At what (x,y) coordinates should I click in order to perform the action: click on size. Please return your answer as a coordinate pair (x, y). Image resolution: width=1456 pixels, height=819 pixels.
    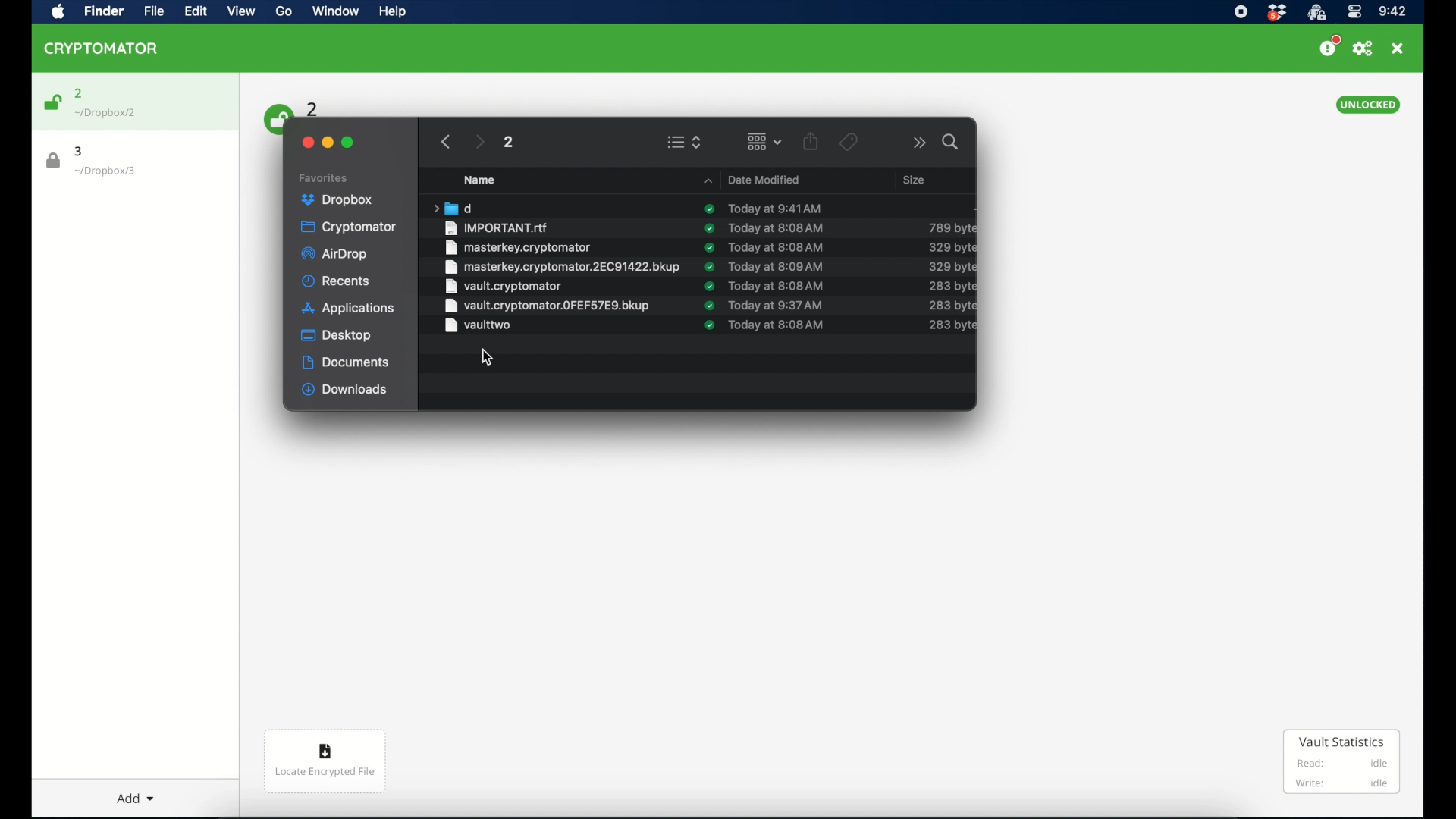
    Looking at the image, I should click on (951, 266).